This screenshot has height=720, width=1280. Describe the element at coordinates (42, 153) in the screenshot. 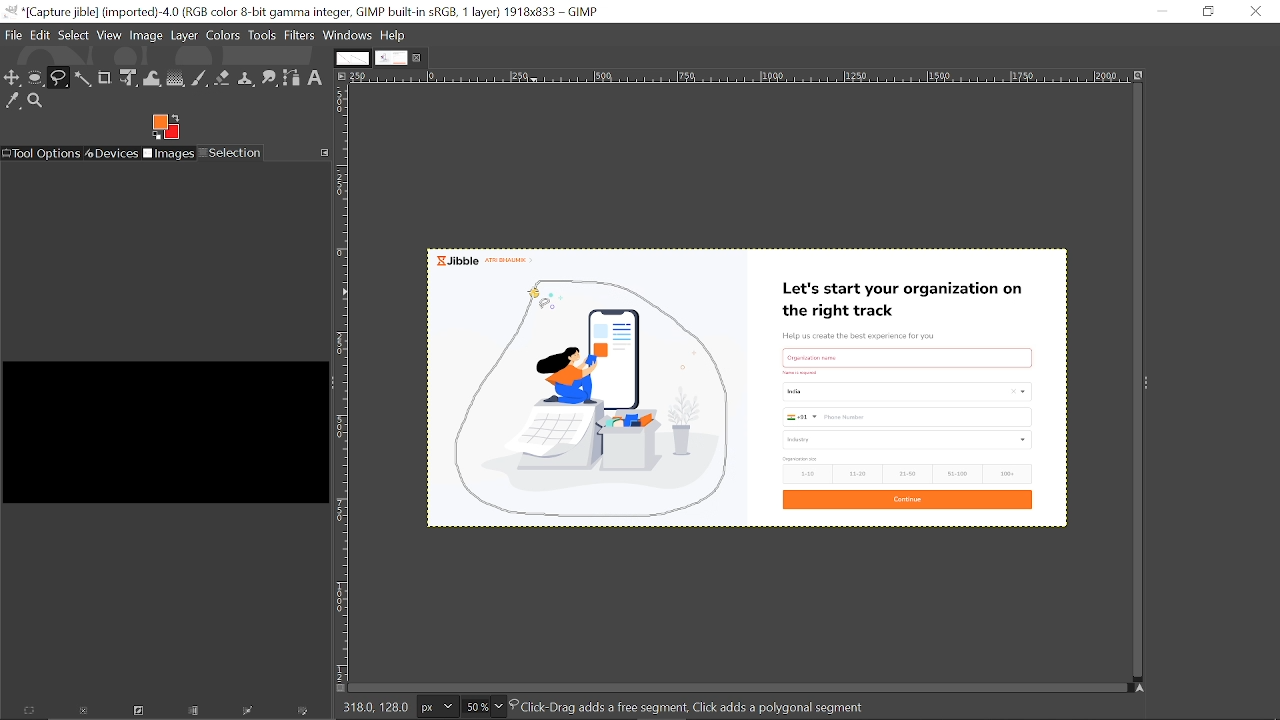

I see `Tool options` at that location.